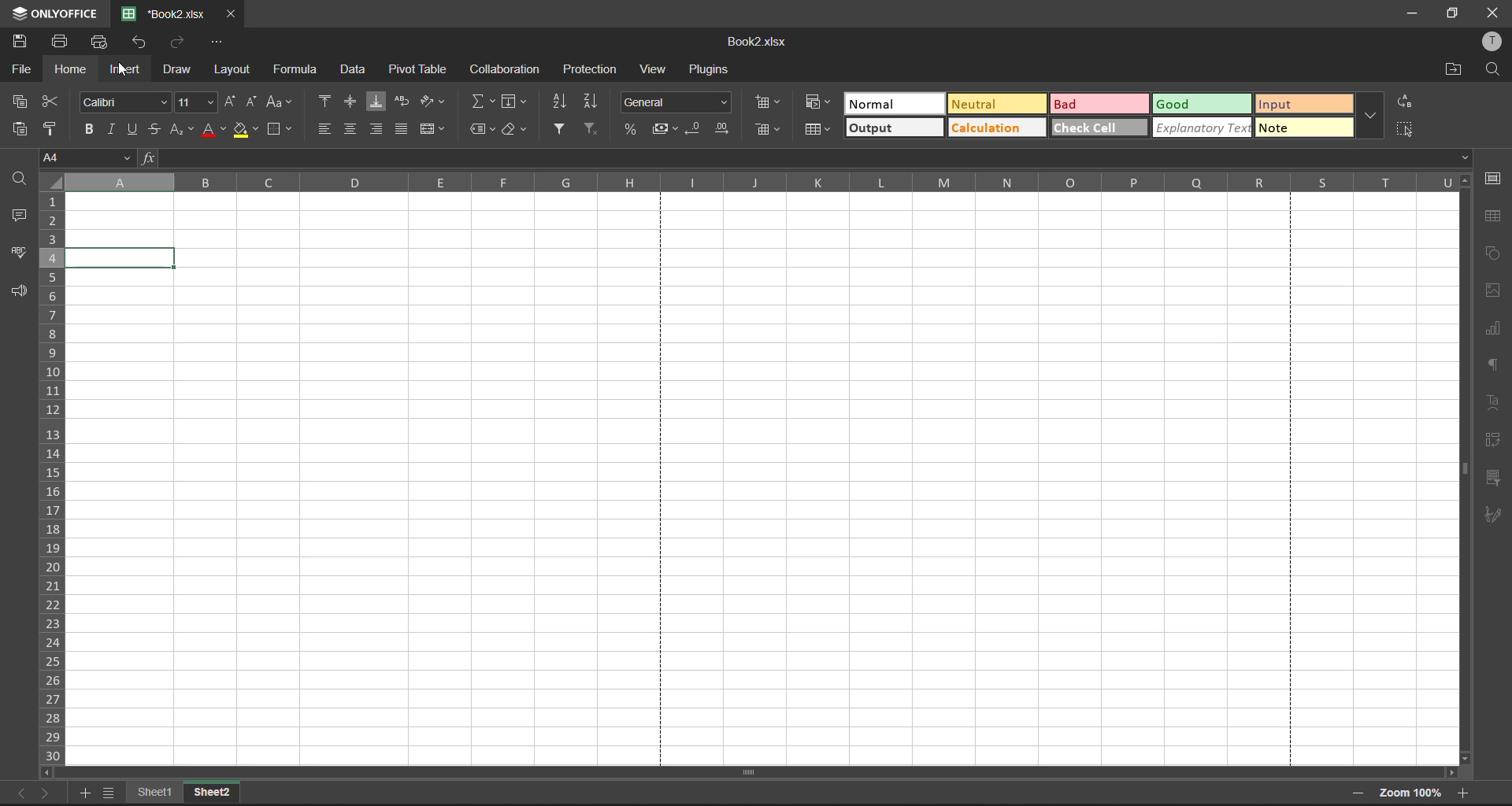 This screenshot has width=1512, height=806. Describe the element at coordinates (148, 159) in the screenshot. I see `fx` at that location.